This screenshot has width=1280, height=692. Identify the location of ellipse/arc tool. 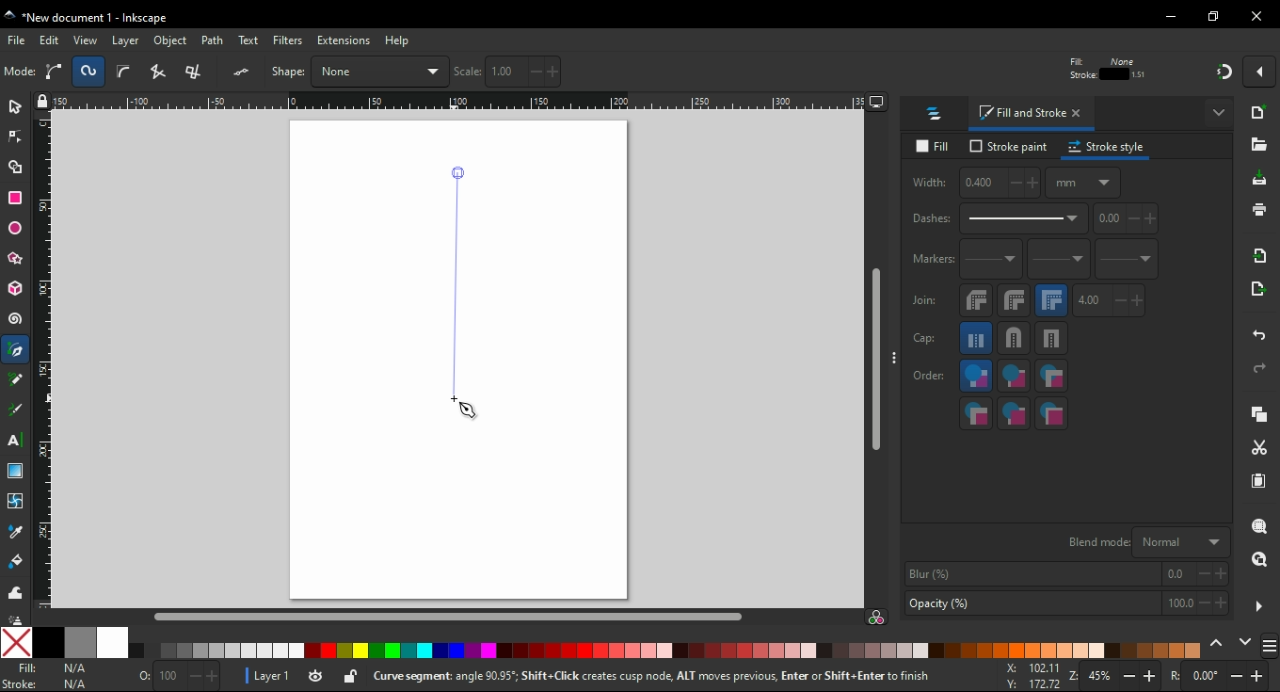
(18, 229).